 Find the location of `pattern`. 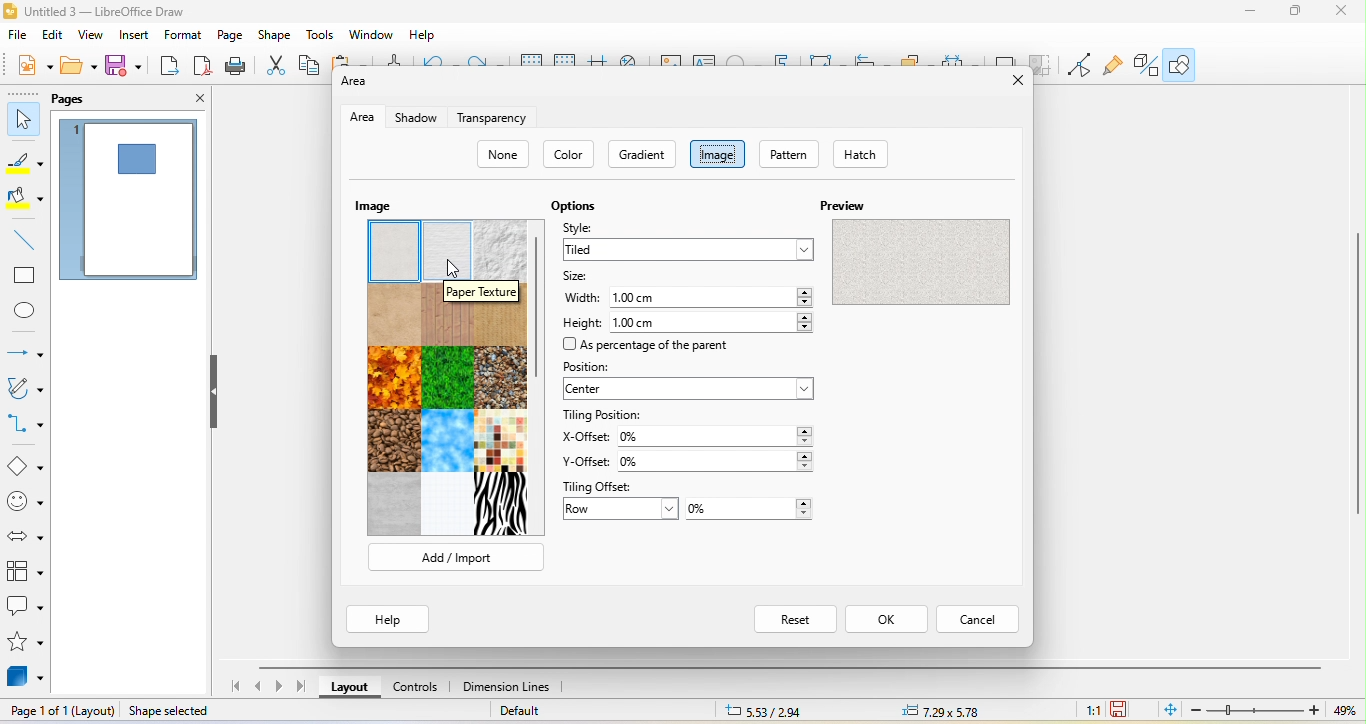

pattern is located at coordinates (794, 153).